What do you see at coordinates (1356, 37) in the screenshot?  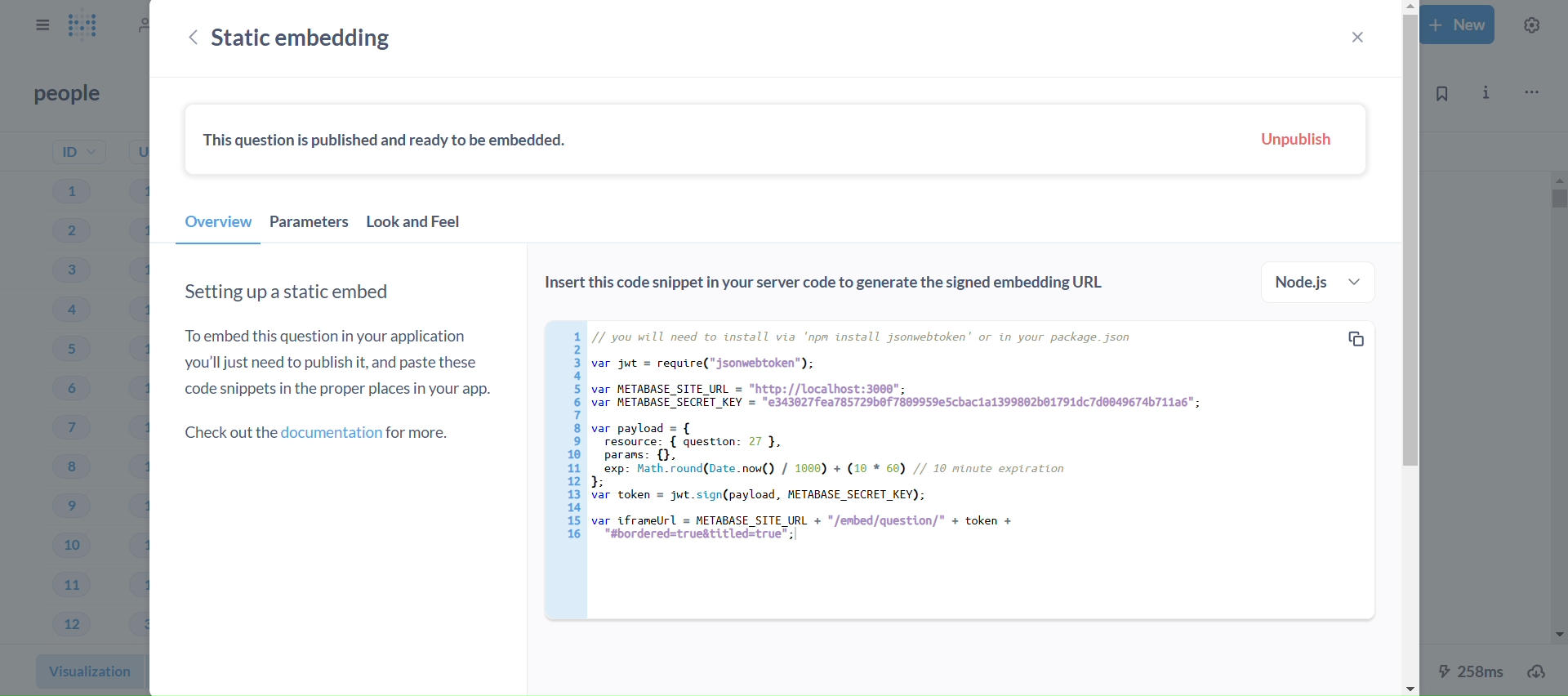 I see `close` at bounding box center [1356, 37].